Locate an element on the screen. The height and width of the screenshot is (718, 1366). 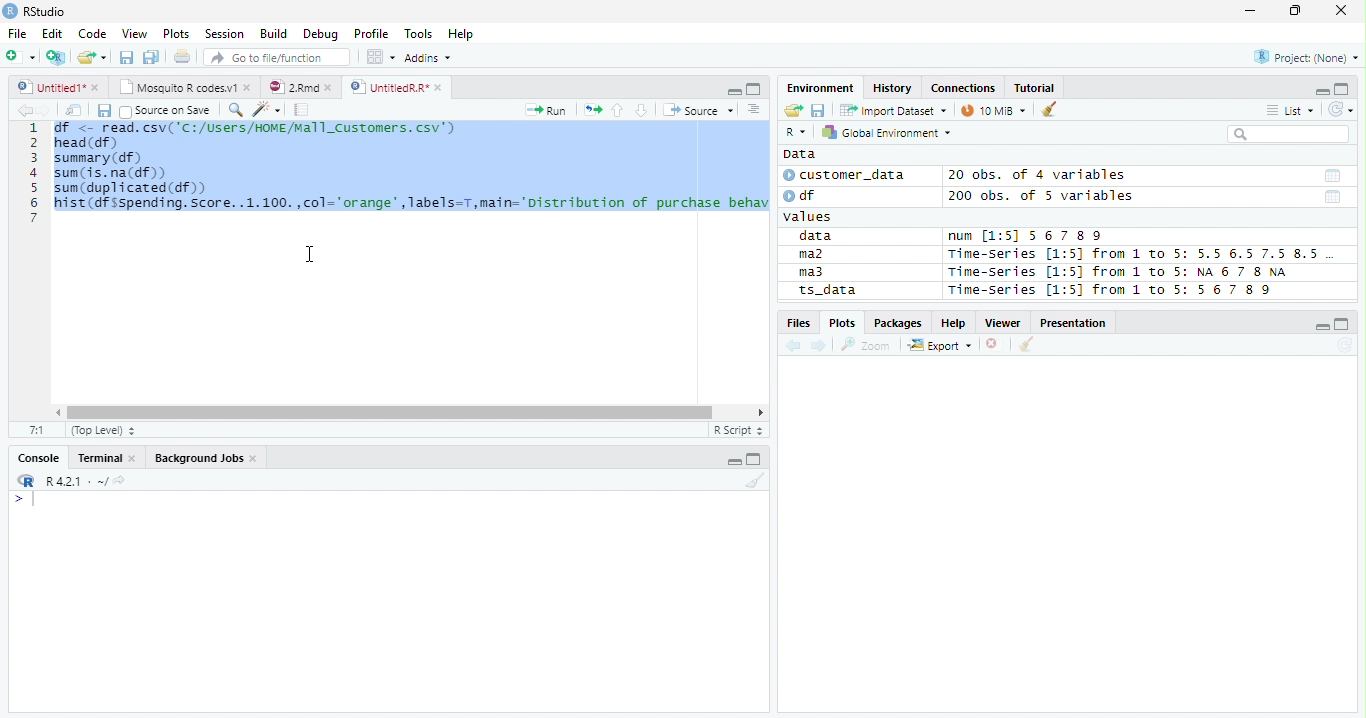
View is located at coordinates (136, 33).